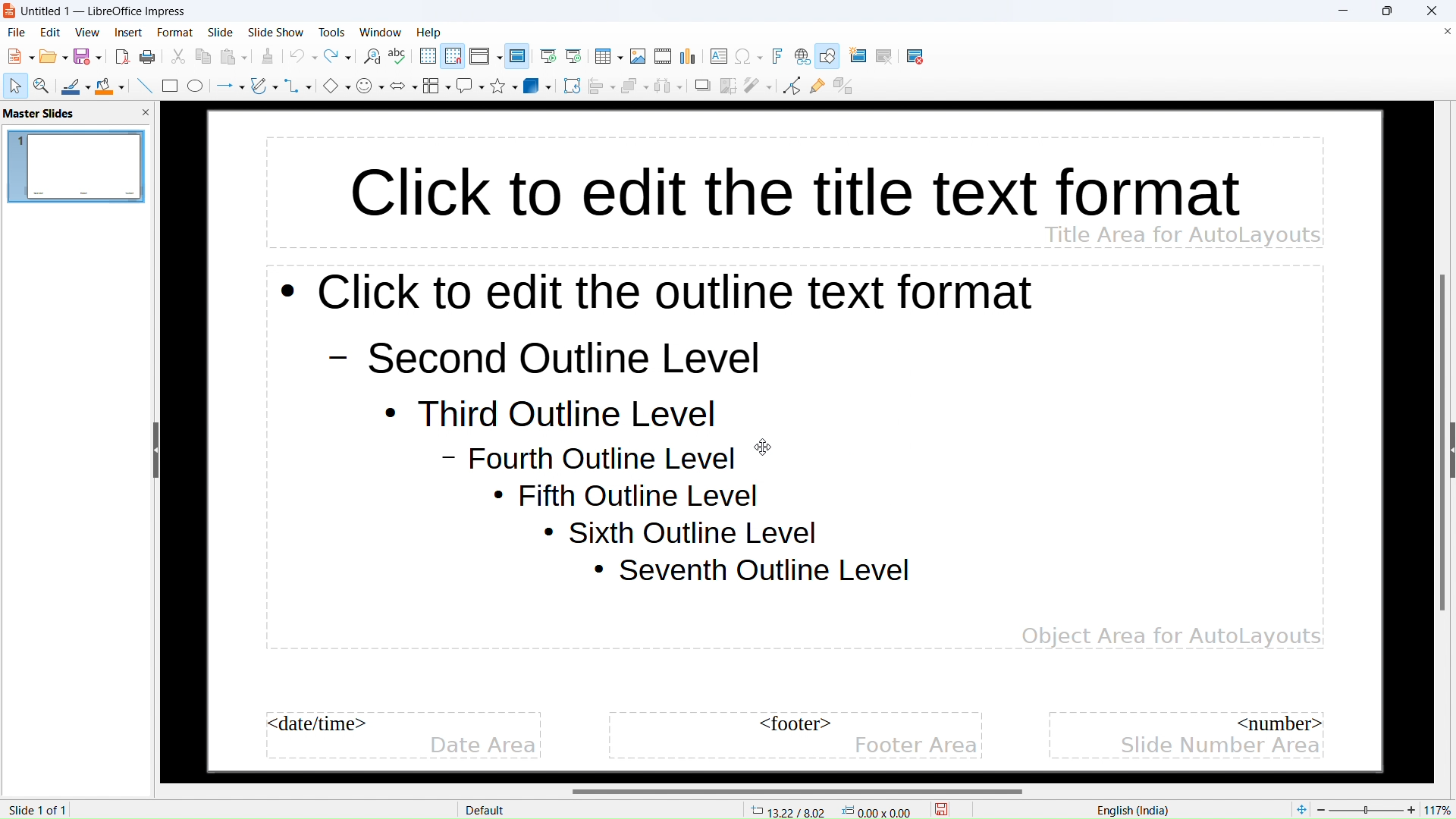 The image size is (1456, 819). I want to click on date area, so click(484, 746).